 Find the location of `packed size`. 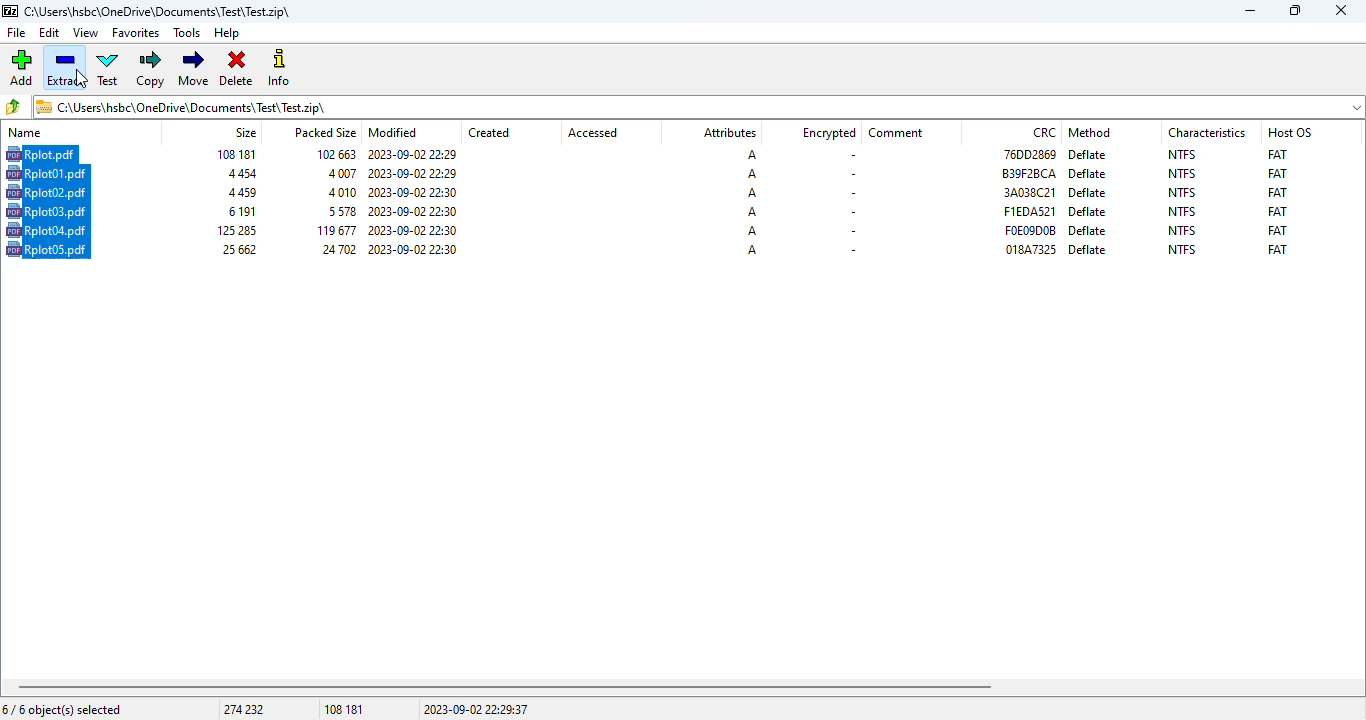

packed size is located at coordinates (335, 249).